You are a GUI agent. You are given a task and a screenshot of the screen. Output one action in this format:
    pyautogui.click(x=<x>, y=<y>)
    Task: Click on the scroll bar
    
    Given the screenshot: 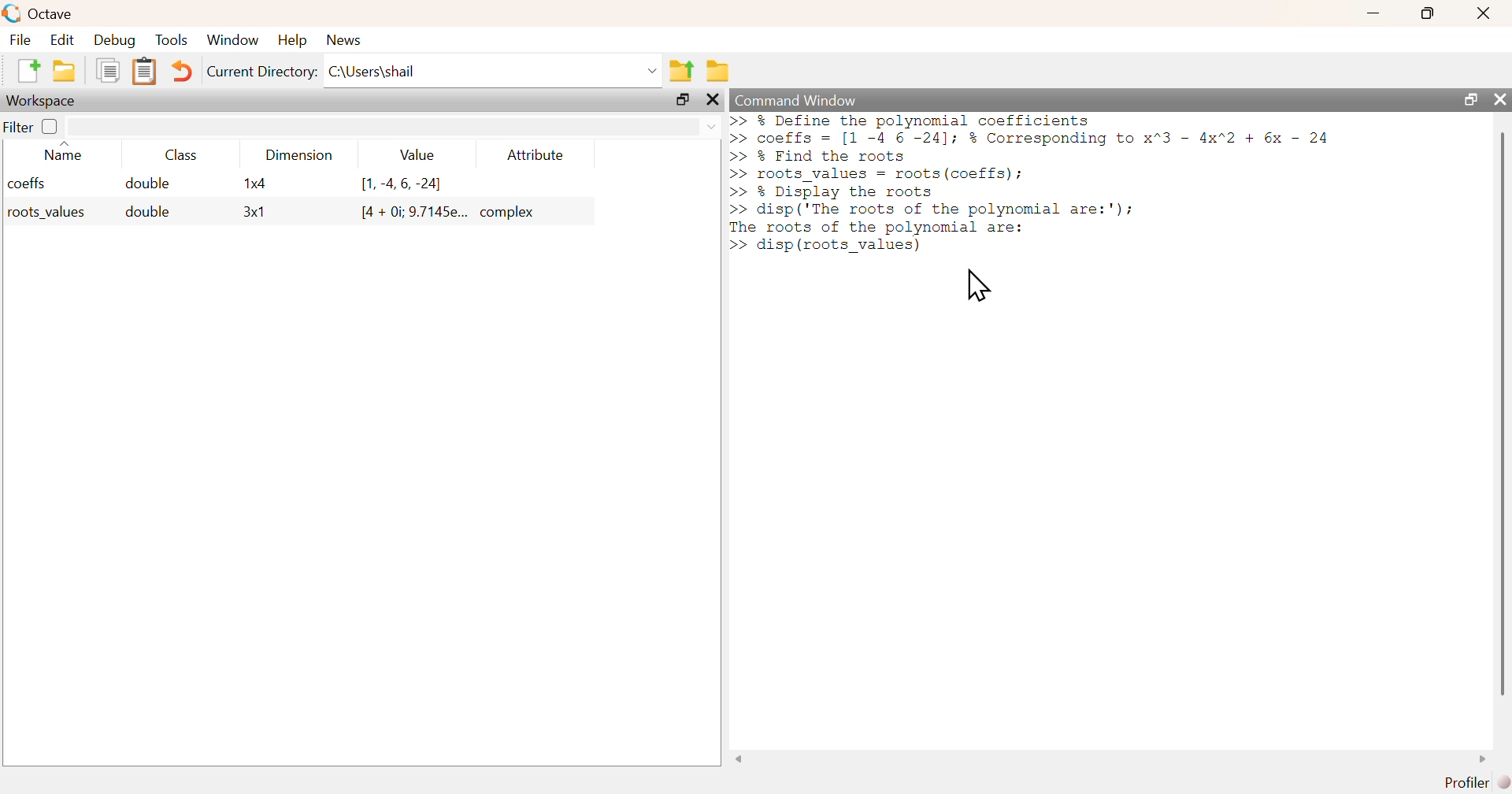 What is the action you would take?
    pyautogui.click(x=1499, y=413)
    